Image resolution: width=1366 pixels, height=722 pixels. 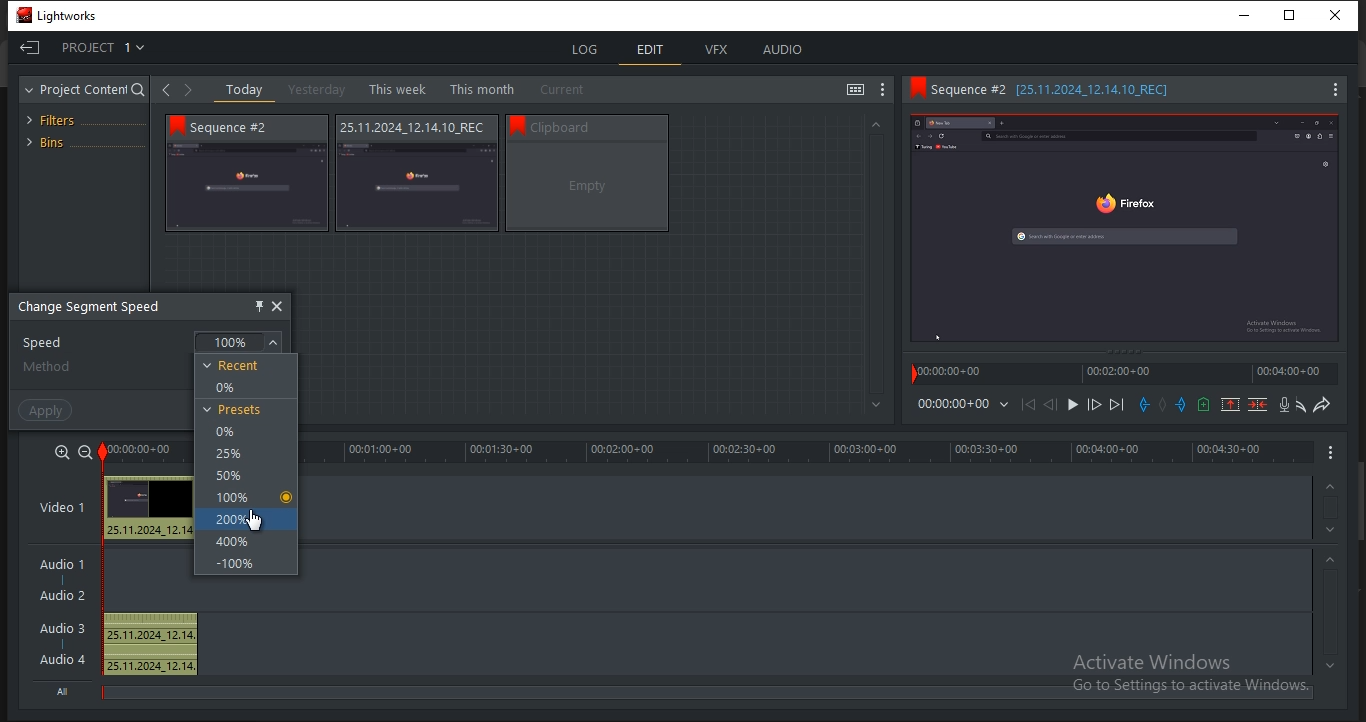 What do you see at coordinates (52, 344) in the screenshot?
I see `speed` at bounding box center [52, 344].